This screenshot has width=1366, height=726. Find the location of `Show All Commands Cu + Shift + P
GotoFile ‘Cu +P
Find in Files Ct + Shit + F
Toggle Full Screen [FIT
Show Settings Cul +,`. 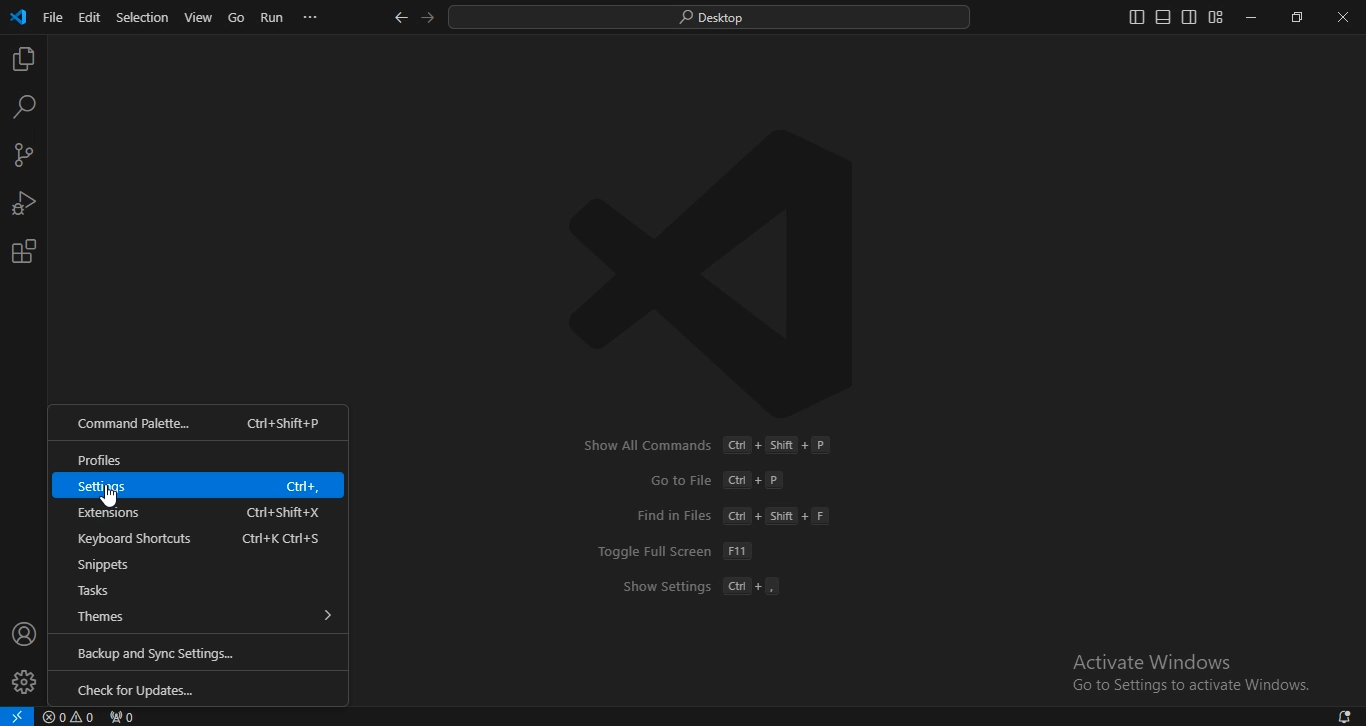

Show All Commands Cu + Shift + P
GotoFile ‘Cu +P
Find in Files Ct + Shit + F
Toggle Full Screen [FIT
Show Settings Cul +, is located at coordinates (701, 518).